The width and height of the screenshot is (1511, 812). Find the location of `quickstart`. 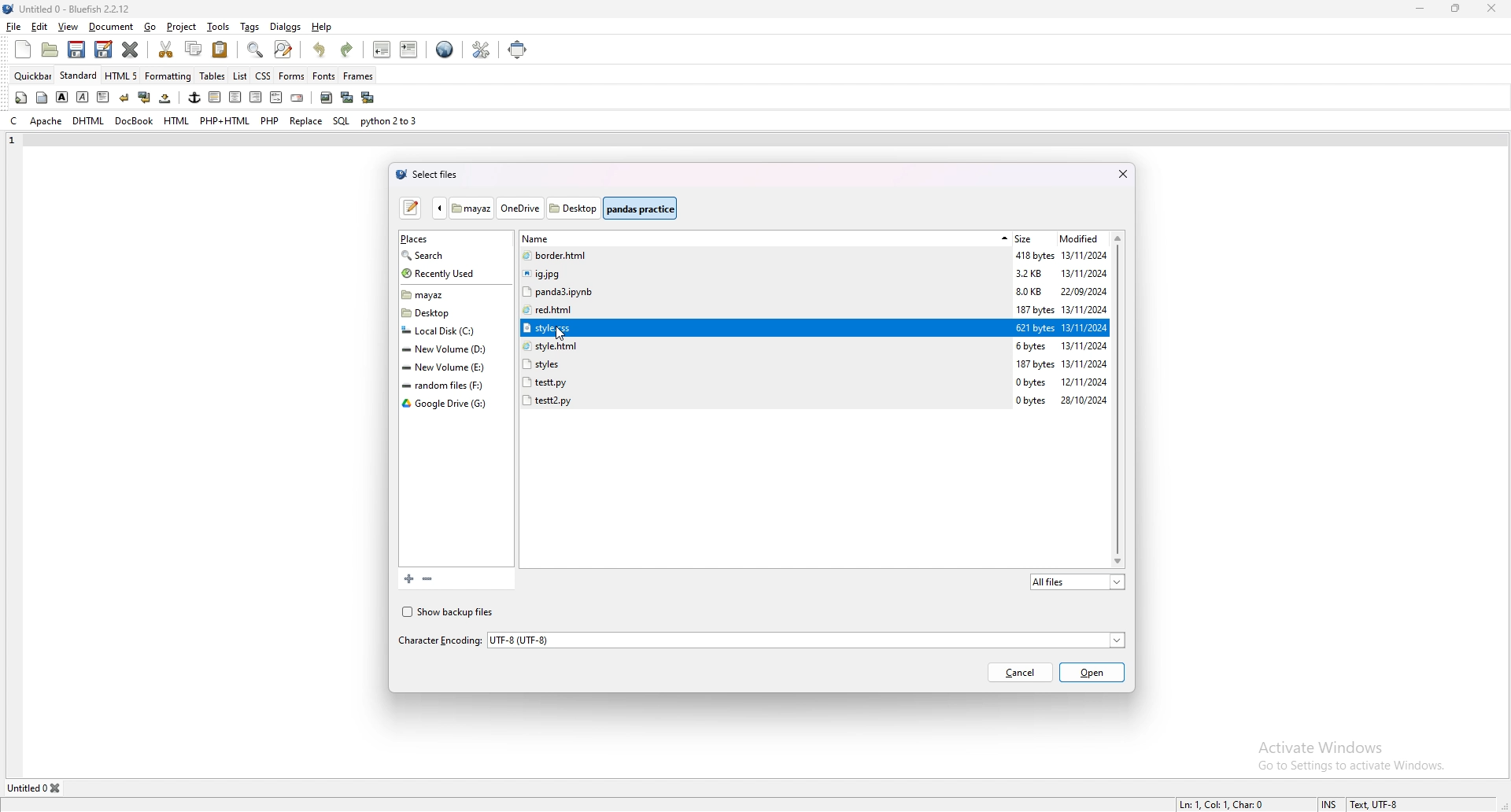

quickstart is located at coordinates (20, 98).